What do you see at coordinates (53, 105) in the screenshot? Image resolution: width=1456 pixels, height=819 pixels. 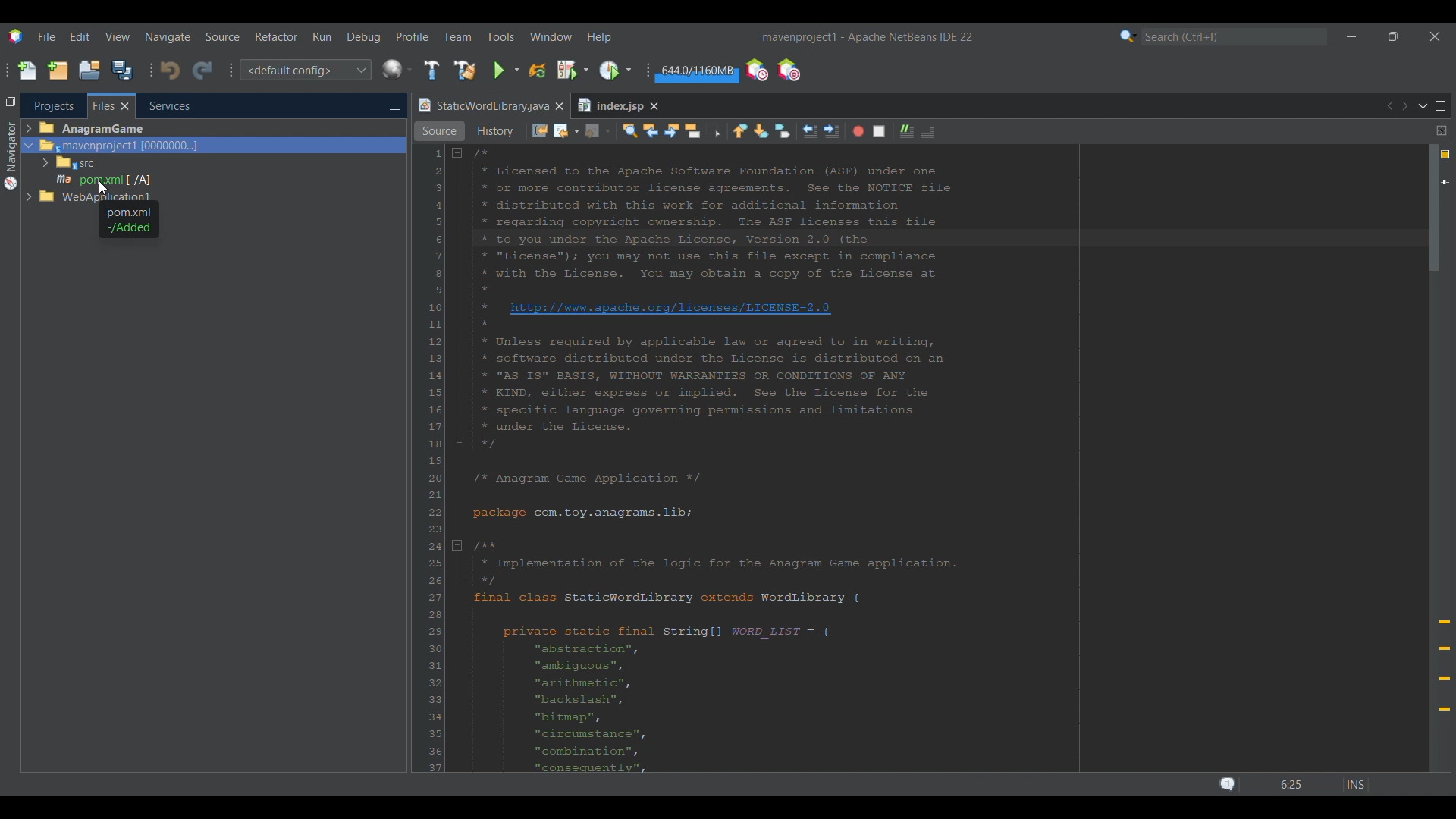 I see `Projects tab` at bounding box center [53, 105].